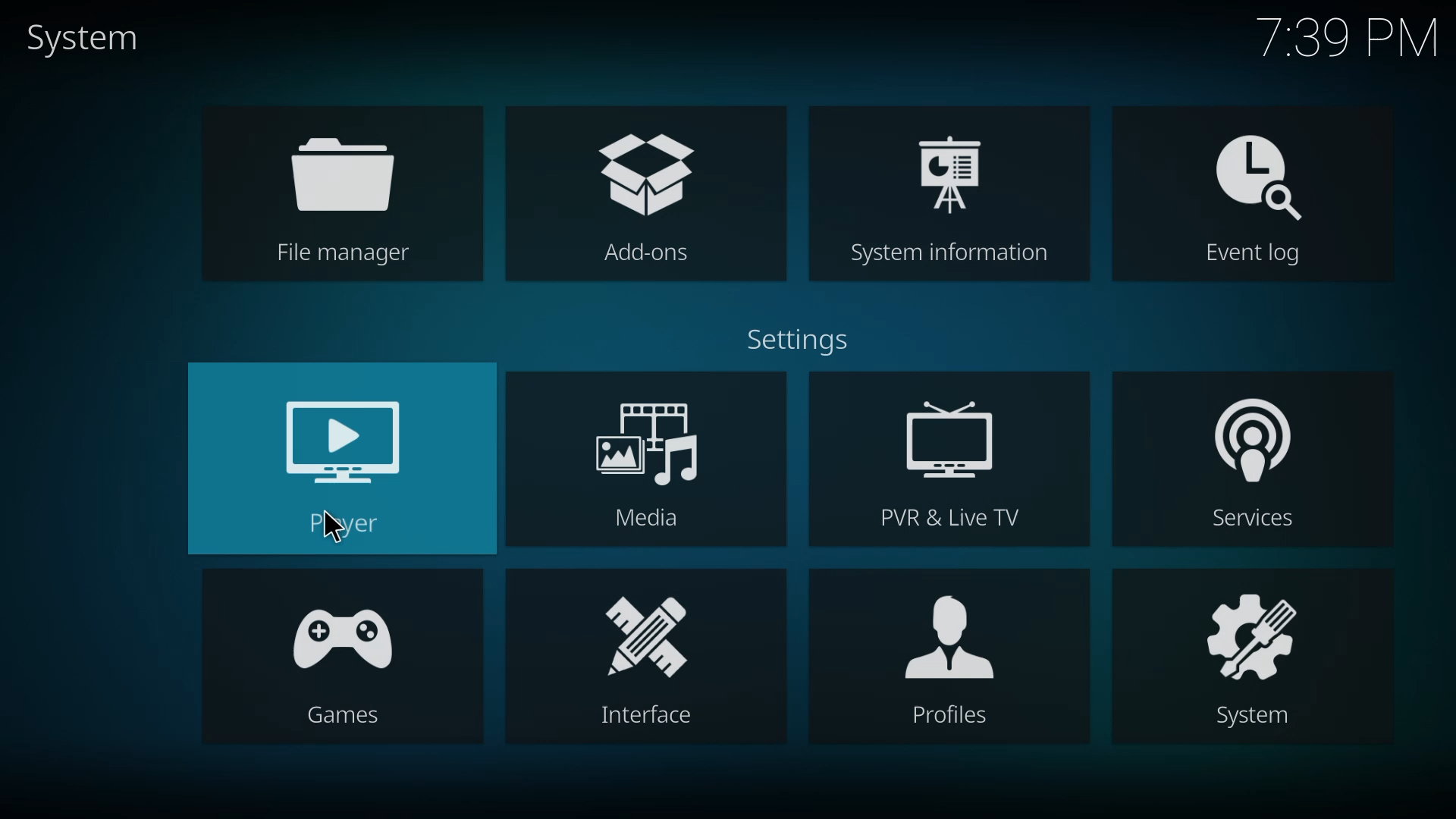  I want to click on event log, so click(1253, 199).